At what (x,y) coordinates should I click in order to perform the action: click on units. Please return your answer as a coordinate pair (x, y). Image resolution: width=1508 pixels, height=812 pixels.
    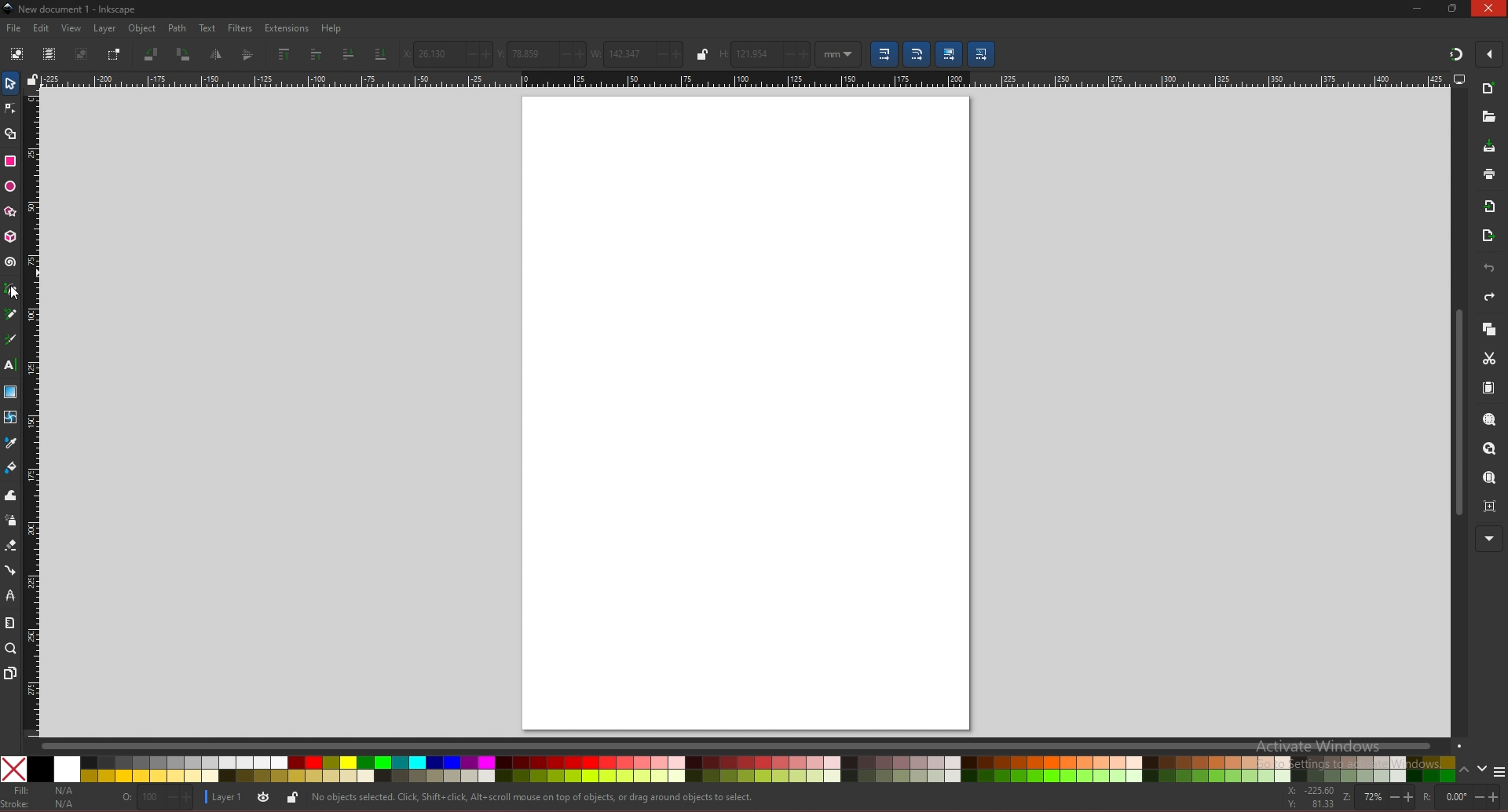
    Looking at the image, I should click on (839, 54).